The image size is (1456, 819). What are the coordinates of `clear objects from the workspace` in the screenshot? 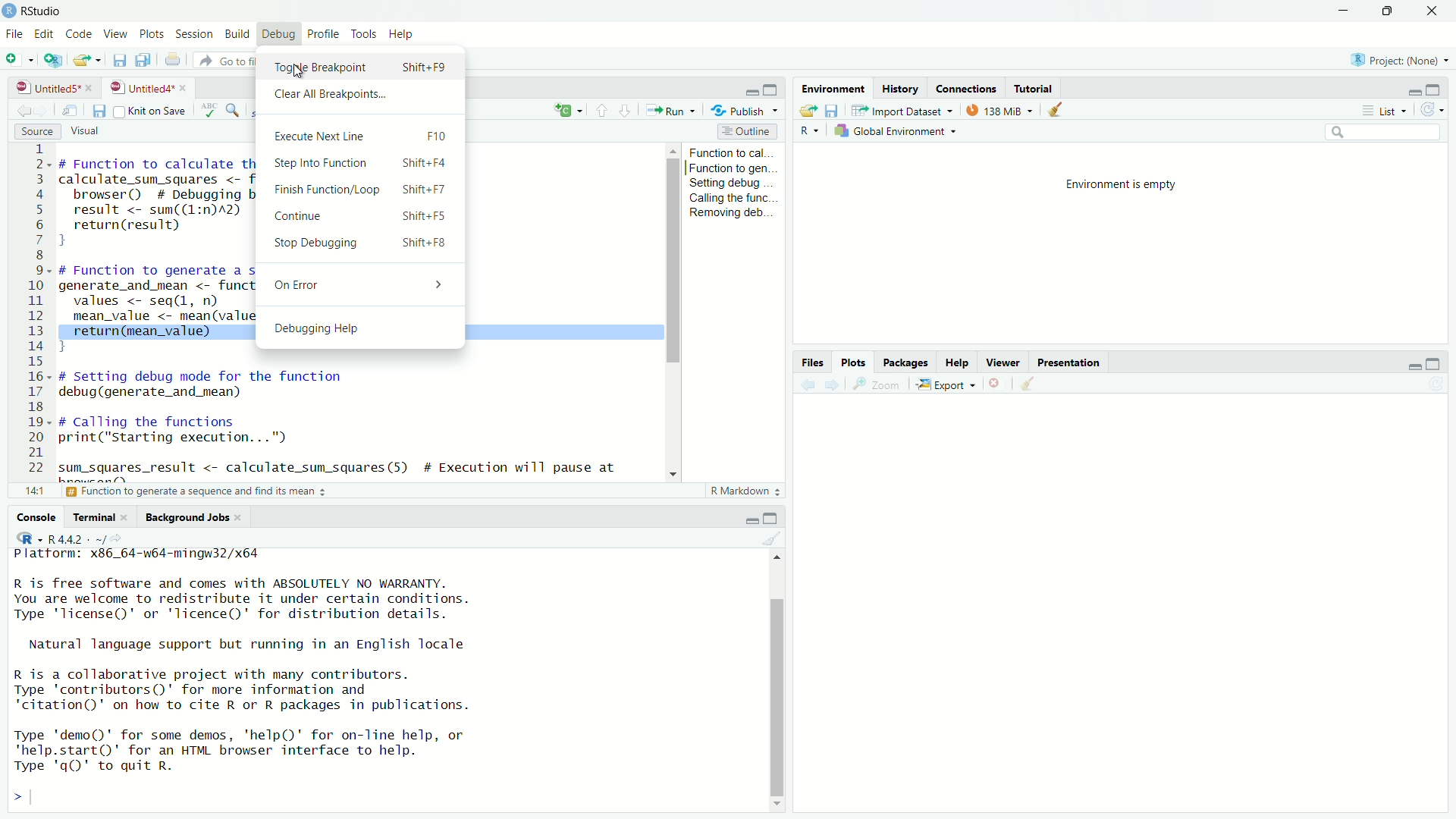 It's located at (1067, 111).